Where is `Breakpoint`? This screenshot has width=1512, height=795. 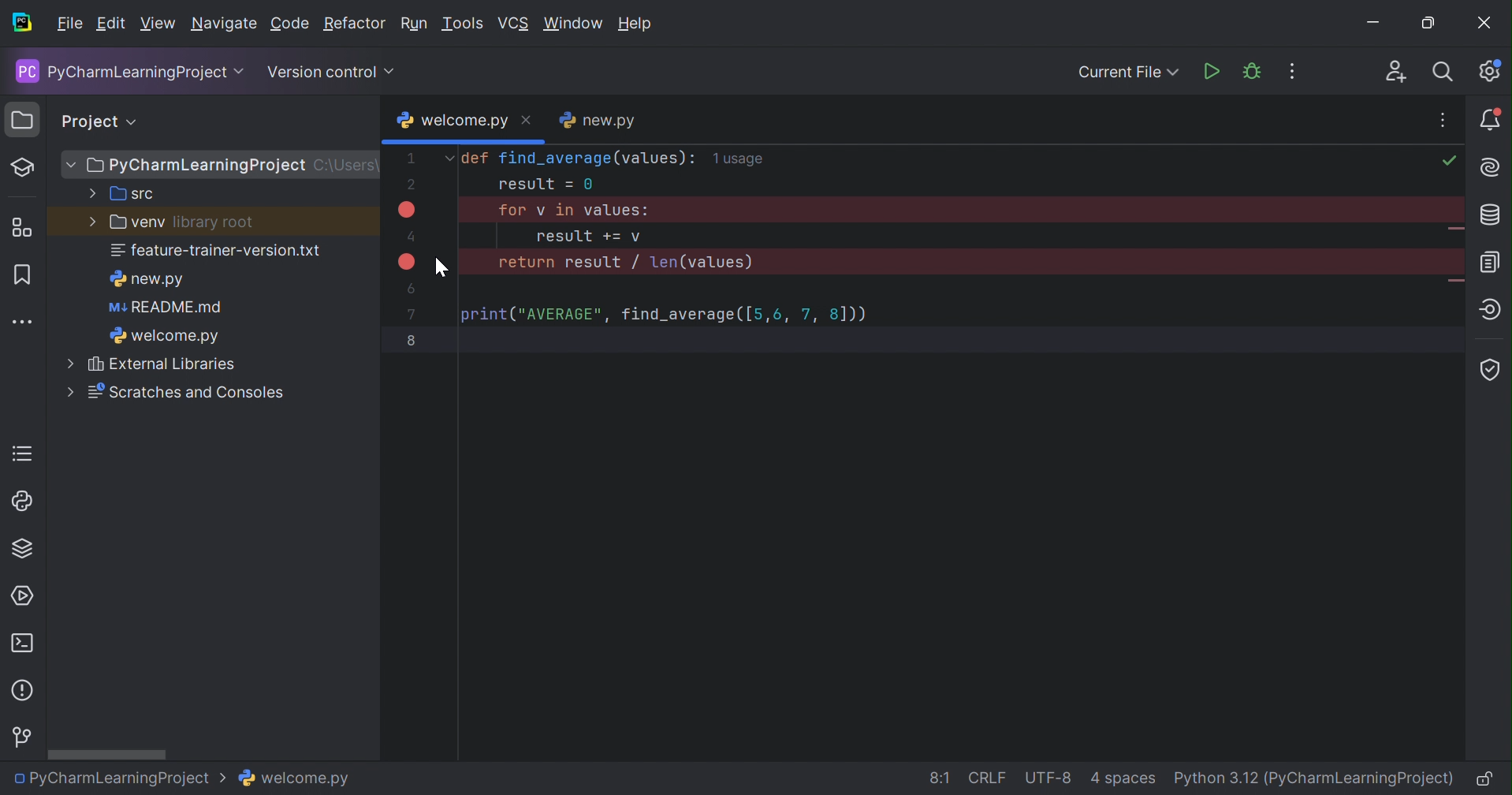
Breakpoint is located at coordinates (408, 208).